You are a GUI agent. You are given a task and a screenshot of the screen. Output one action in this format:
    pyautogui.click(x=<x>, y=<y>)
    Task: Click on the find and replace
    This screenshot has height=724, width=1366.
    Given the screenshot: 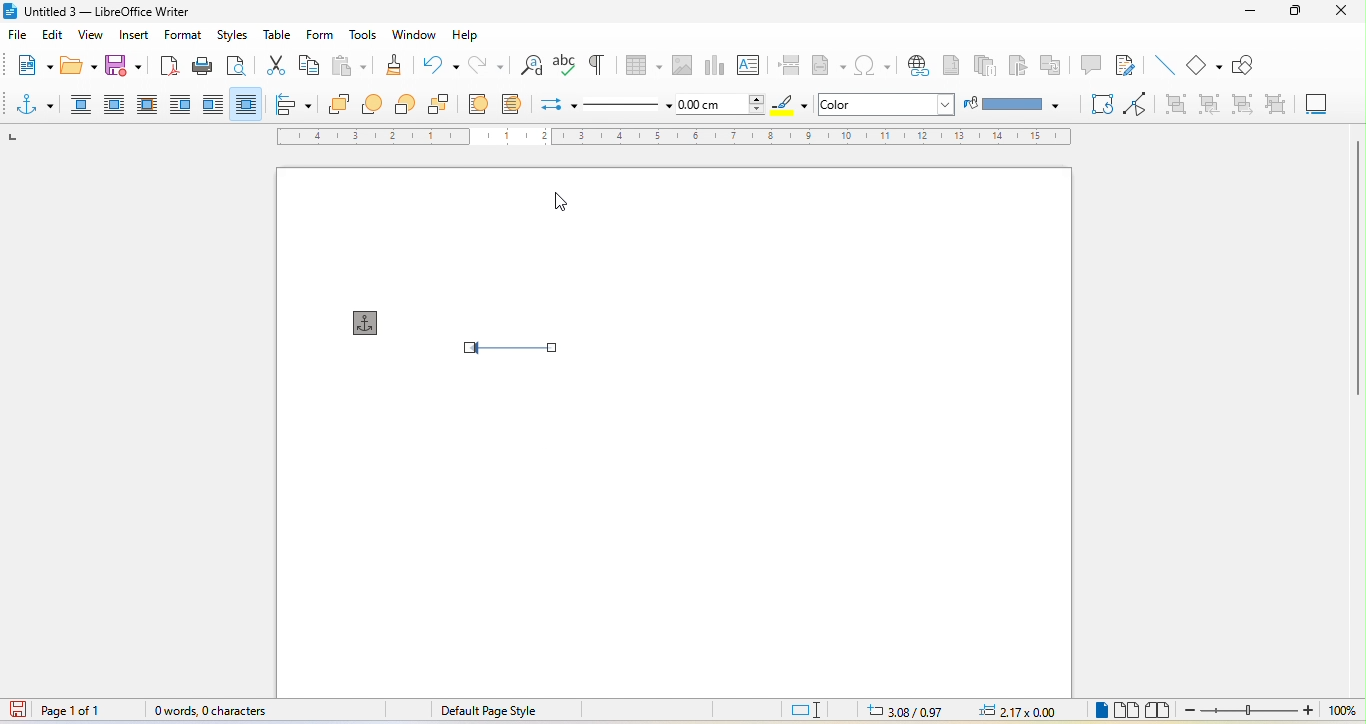 What is the action you would take?
    pyautogui.click(x=532, y=65)
    